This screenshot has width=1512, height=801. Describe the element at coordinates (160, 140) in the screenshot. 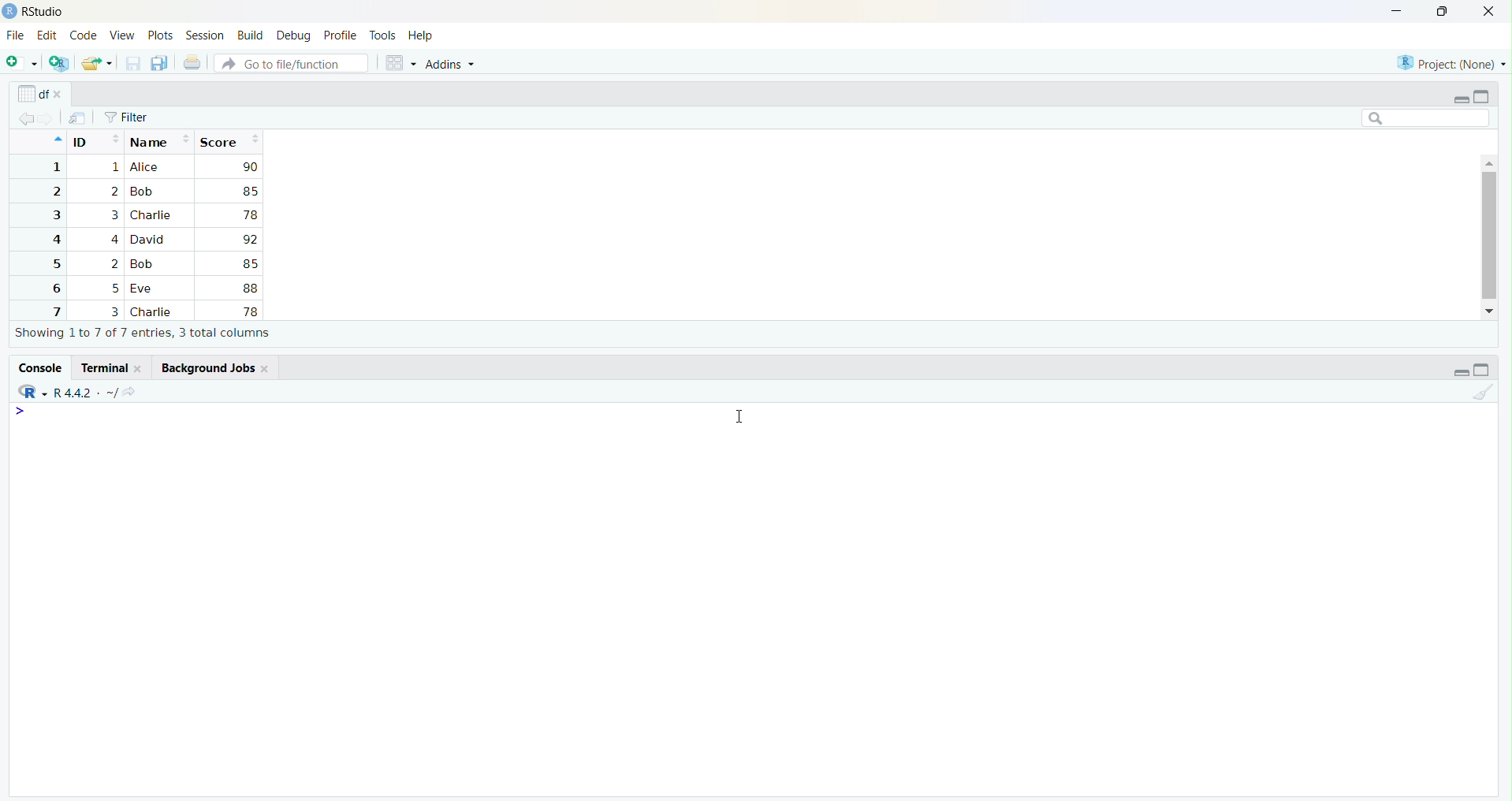

I see `Name` at that location.